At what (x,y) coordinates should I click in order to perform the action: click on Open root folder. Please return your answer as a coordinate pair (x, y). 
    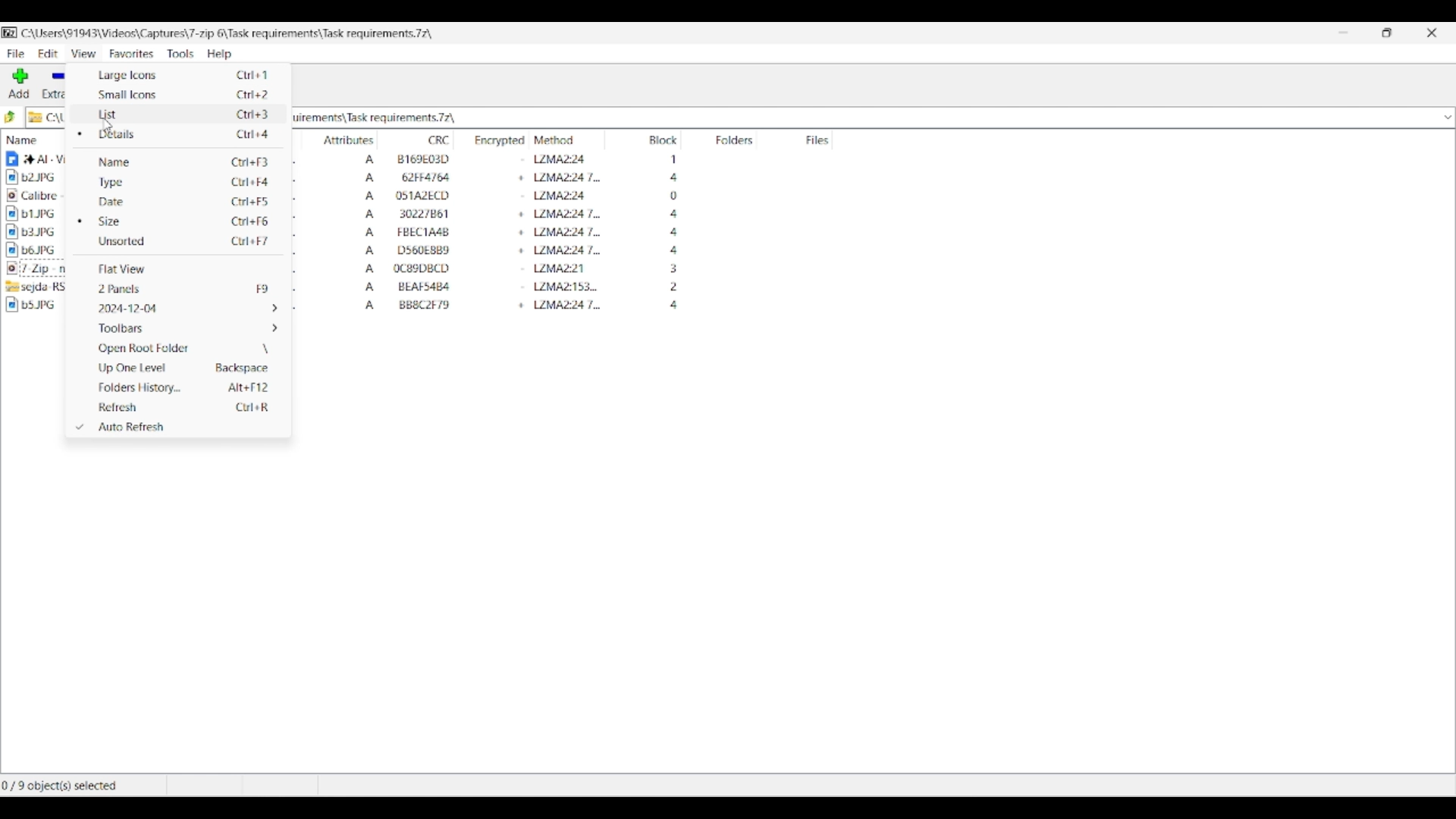
    Looking at the image, I should click on (184, 348).